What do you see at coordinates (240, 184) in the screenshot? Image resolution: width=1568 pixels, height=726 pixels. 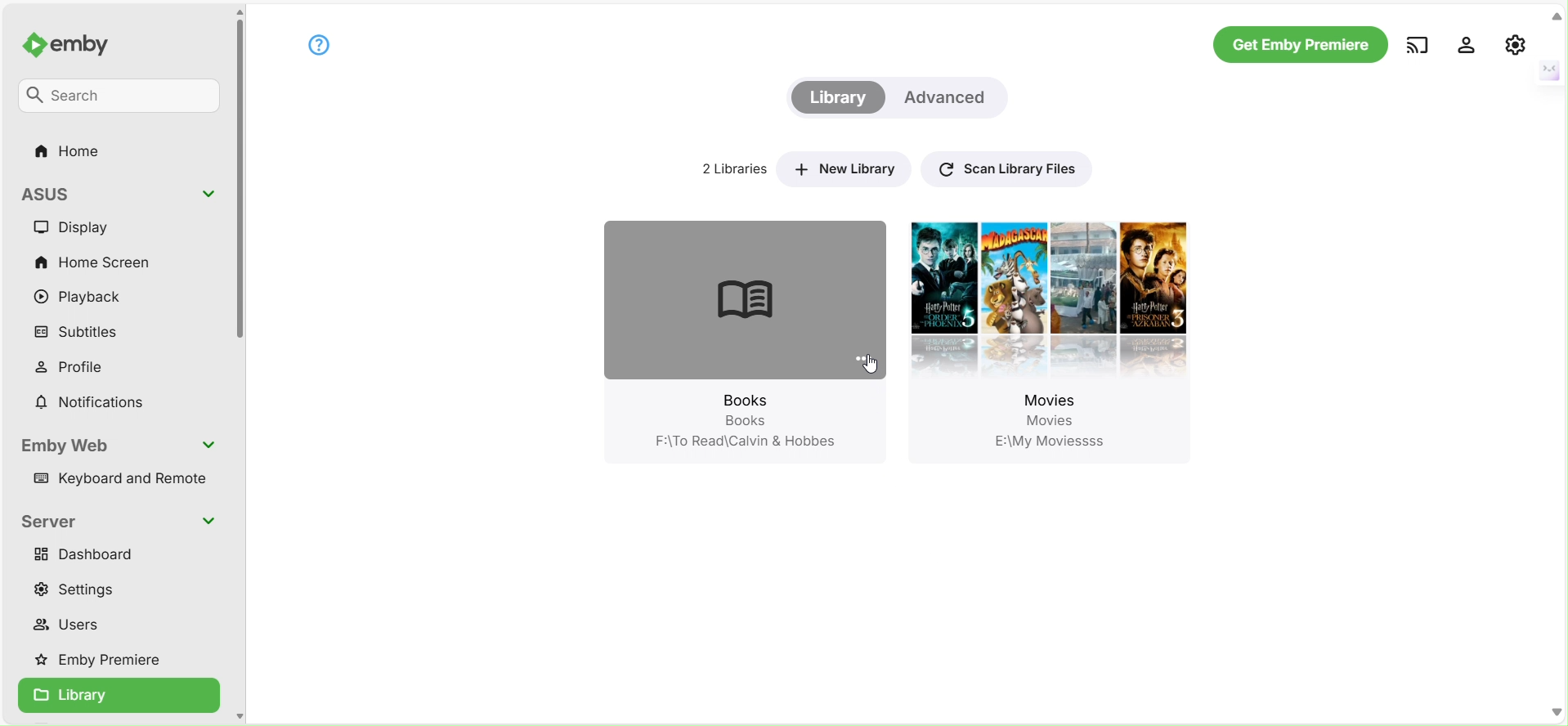 I see `Vertical Scroll Bar` at bounding box center [240, 184].